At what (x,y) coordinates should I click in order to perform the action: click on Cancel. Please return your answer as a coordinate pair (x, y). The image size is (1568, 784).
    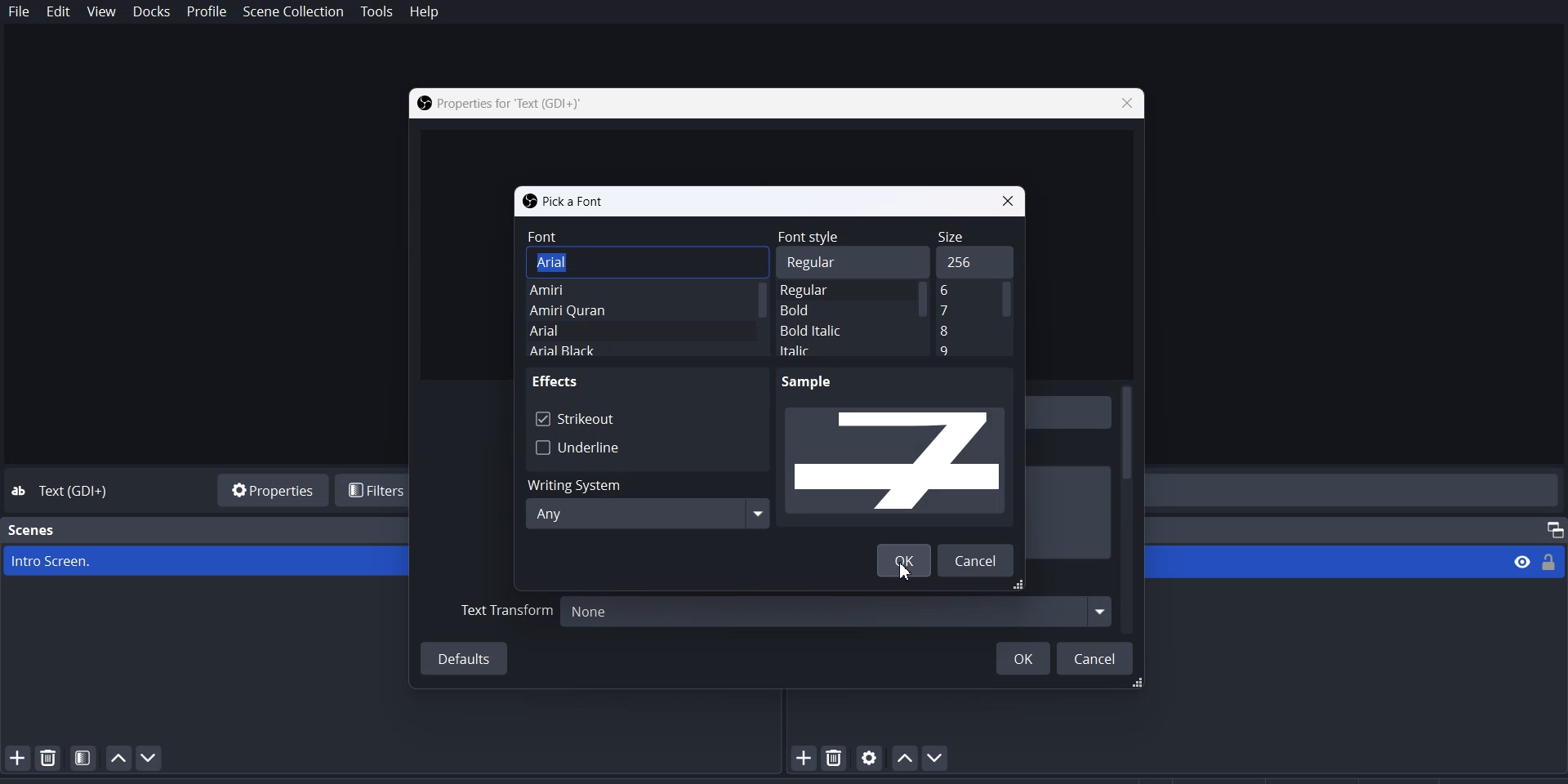
    Looking at the image, I should click on (1097, 657).